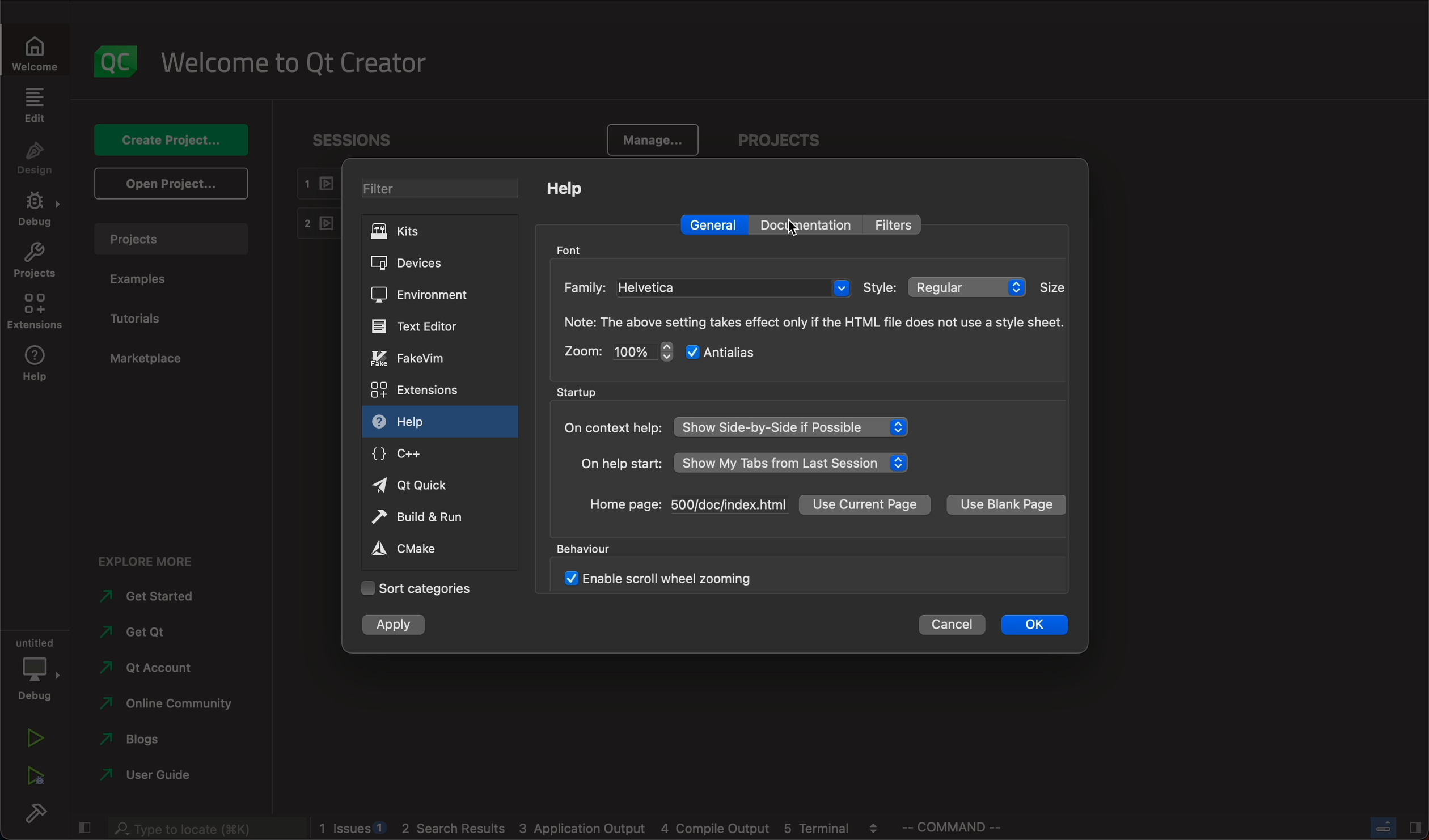 The height and width of the screenshot is (840, 1429). What do you see at coordinates (566, 190) in the screenshot?
I see `help` at bounding box center [566, 190].